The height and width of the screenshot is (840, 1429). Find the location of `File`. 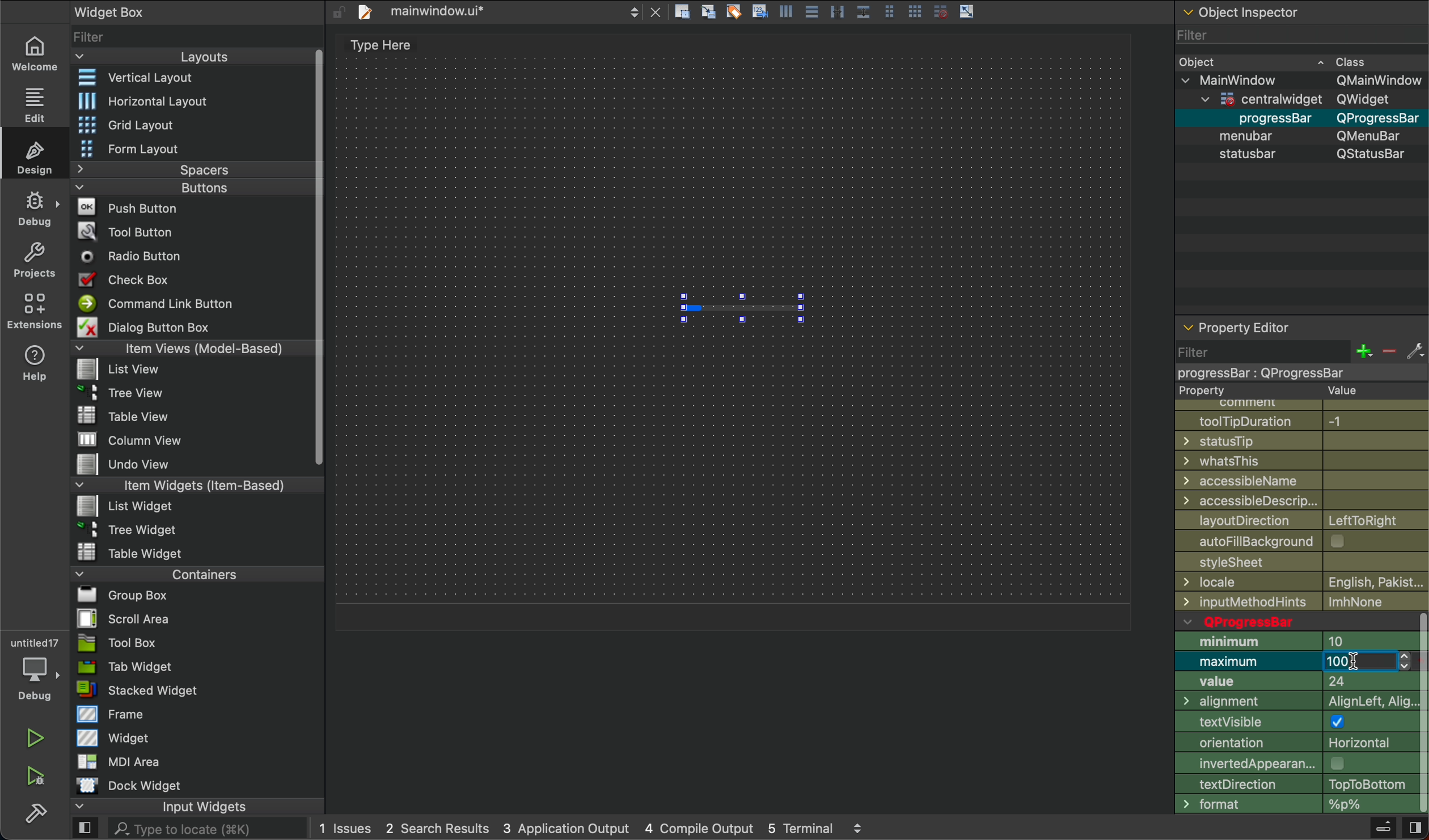

File is located at coordinates (123, 370).